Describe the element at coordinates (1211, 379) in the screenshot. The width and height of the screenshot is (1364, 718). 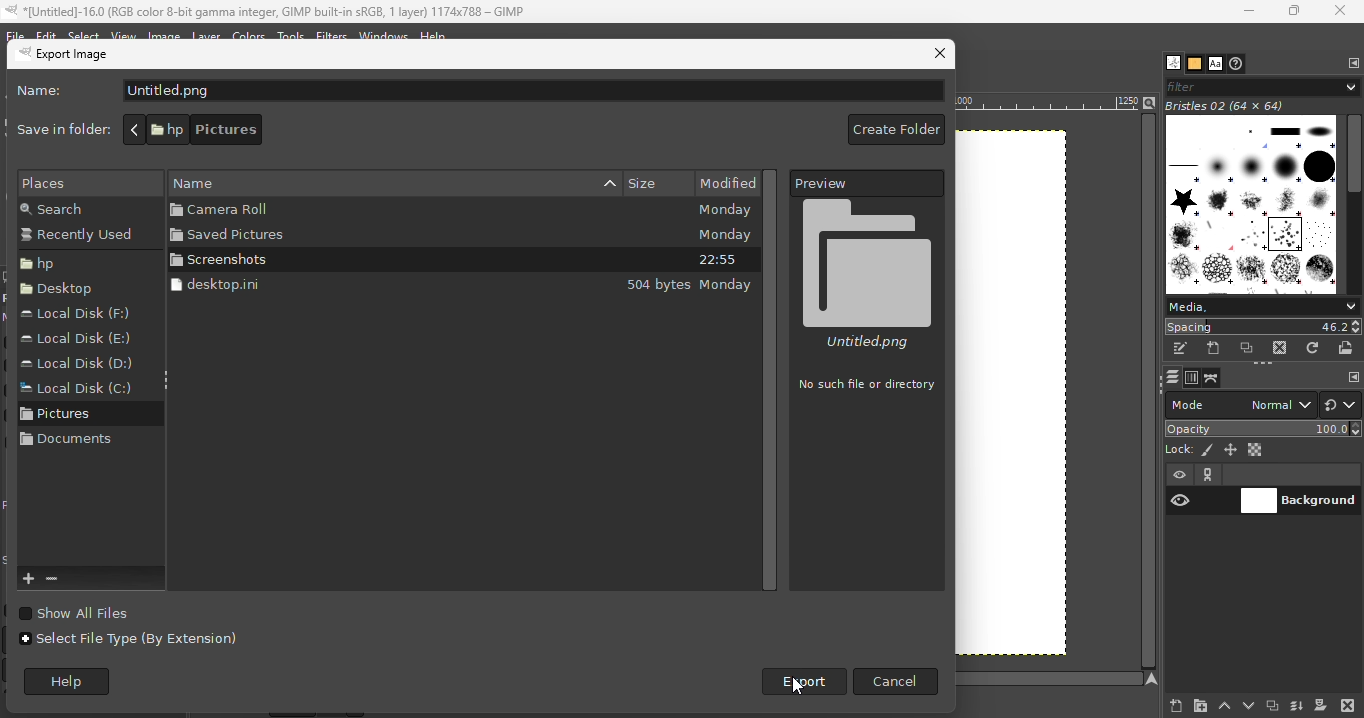
I see `Paths` at that location.